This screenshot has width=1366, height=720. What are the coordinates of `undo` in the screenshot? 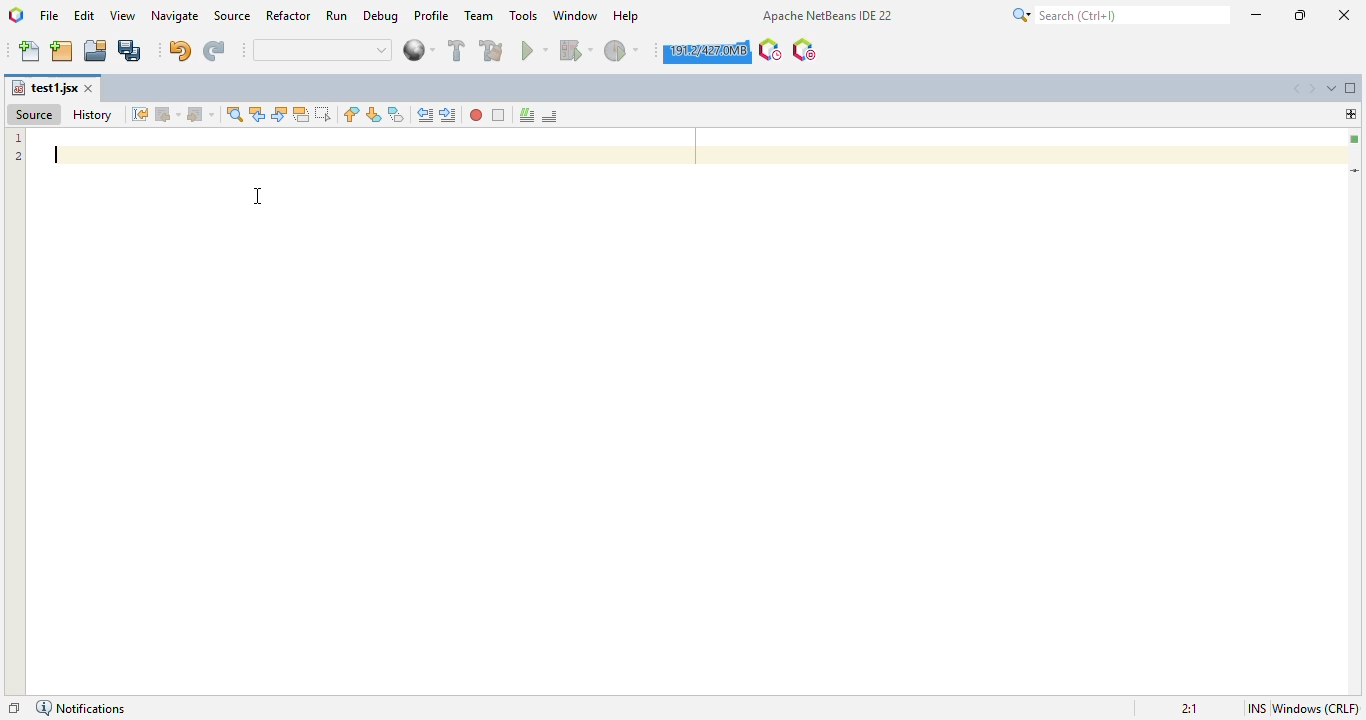 It's located at (180, 50).